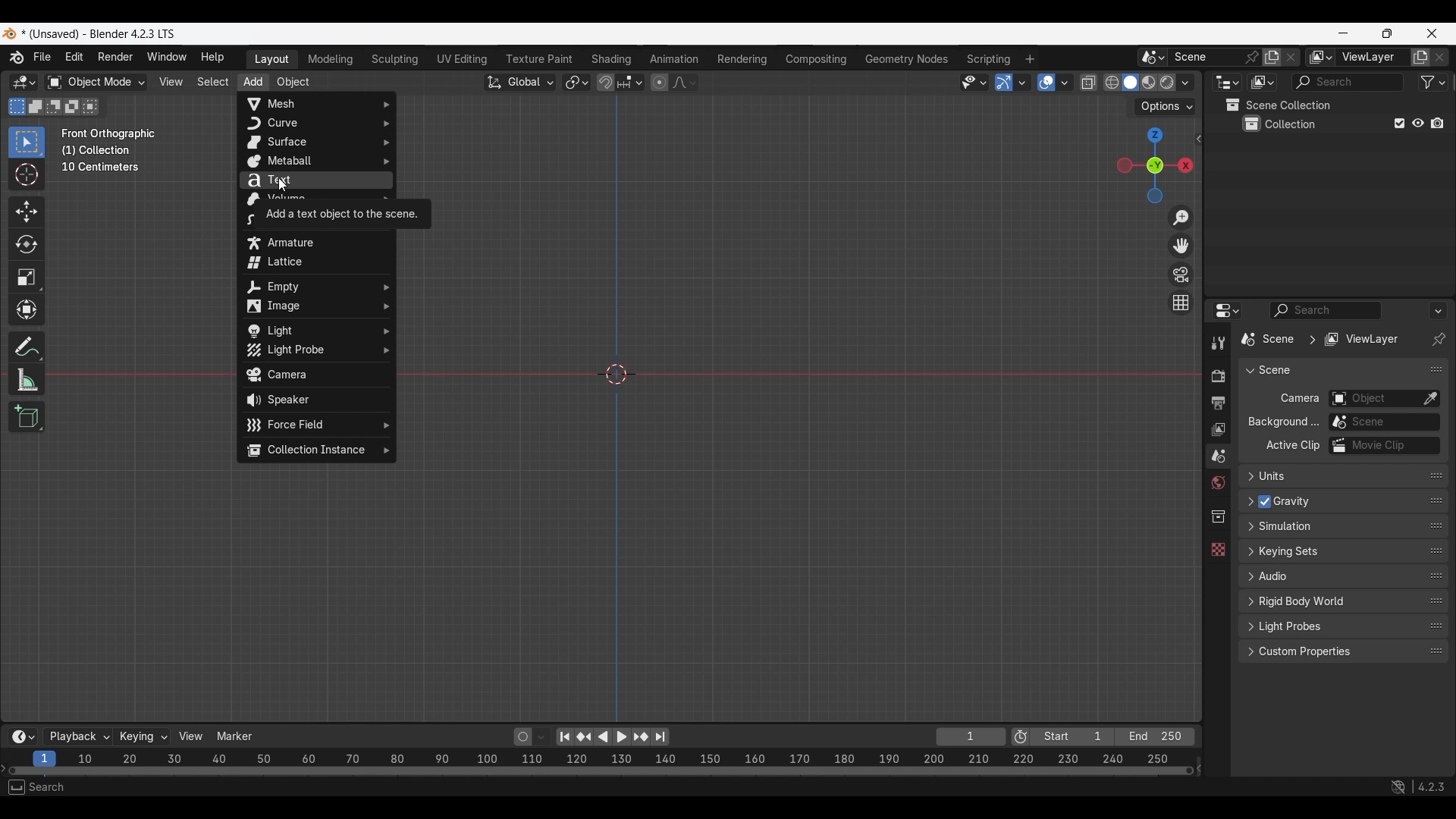 The image size is (1456, 819). I want to click on Name view layer, so click(1373, 58).